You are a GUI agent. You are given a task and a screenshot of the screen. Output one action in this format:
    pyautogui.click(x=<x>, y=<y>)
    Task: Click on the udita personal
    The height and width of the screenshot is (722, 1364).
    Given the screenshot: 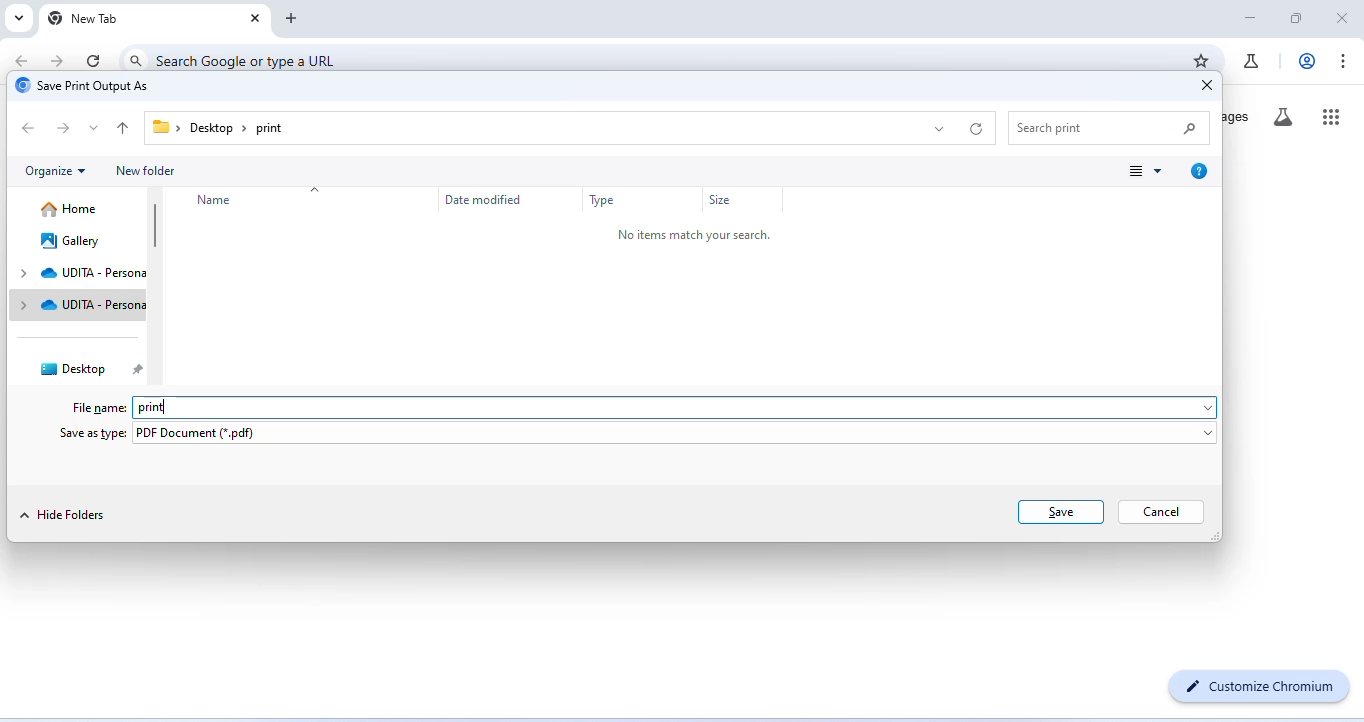 What is the action you would take?
    pyautogui.click(x=93, y=306)
    